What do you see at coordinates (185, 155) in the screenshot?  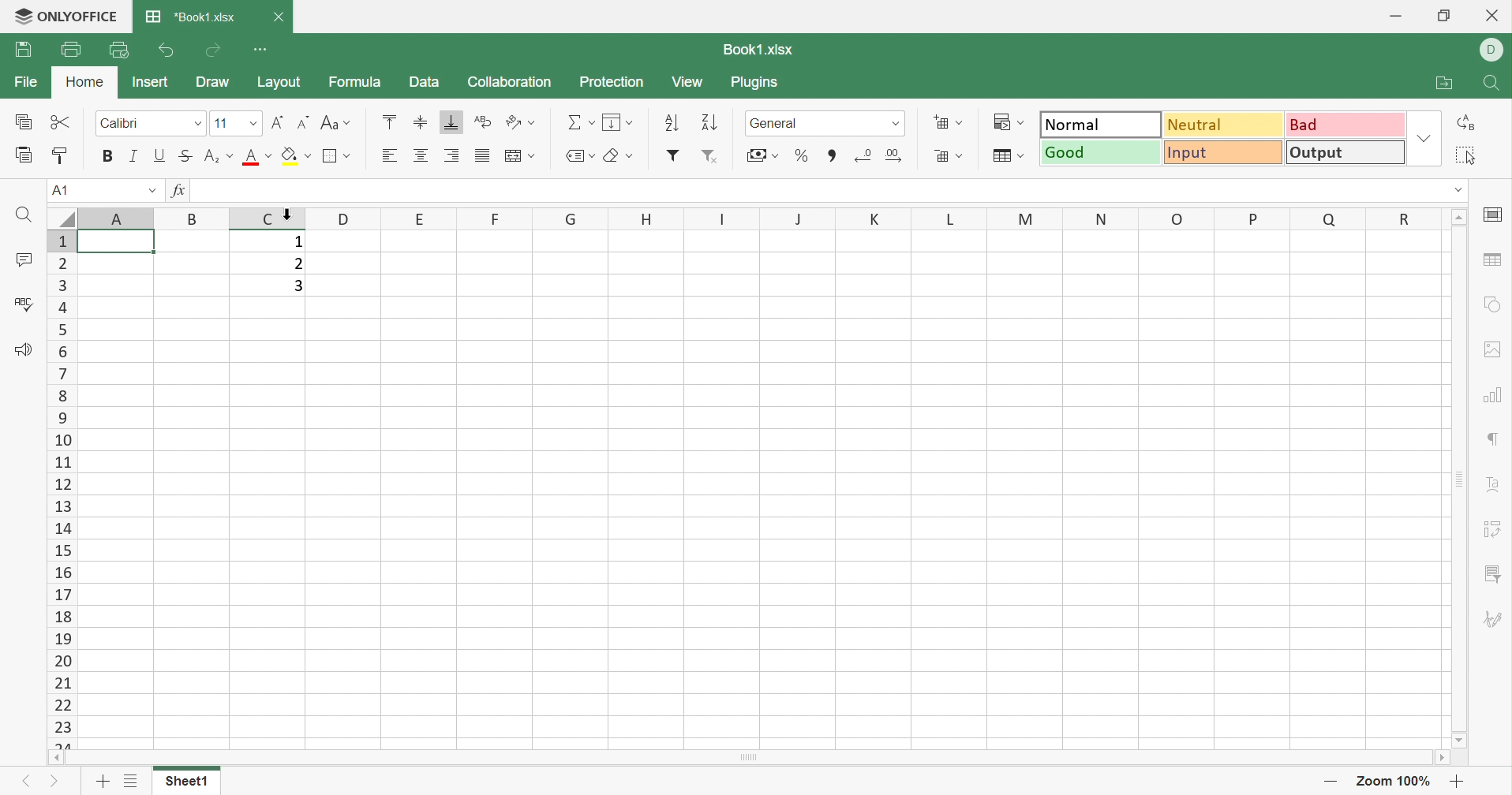 I see `Strikethrough` at bounding box center [185, 155].